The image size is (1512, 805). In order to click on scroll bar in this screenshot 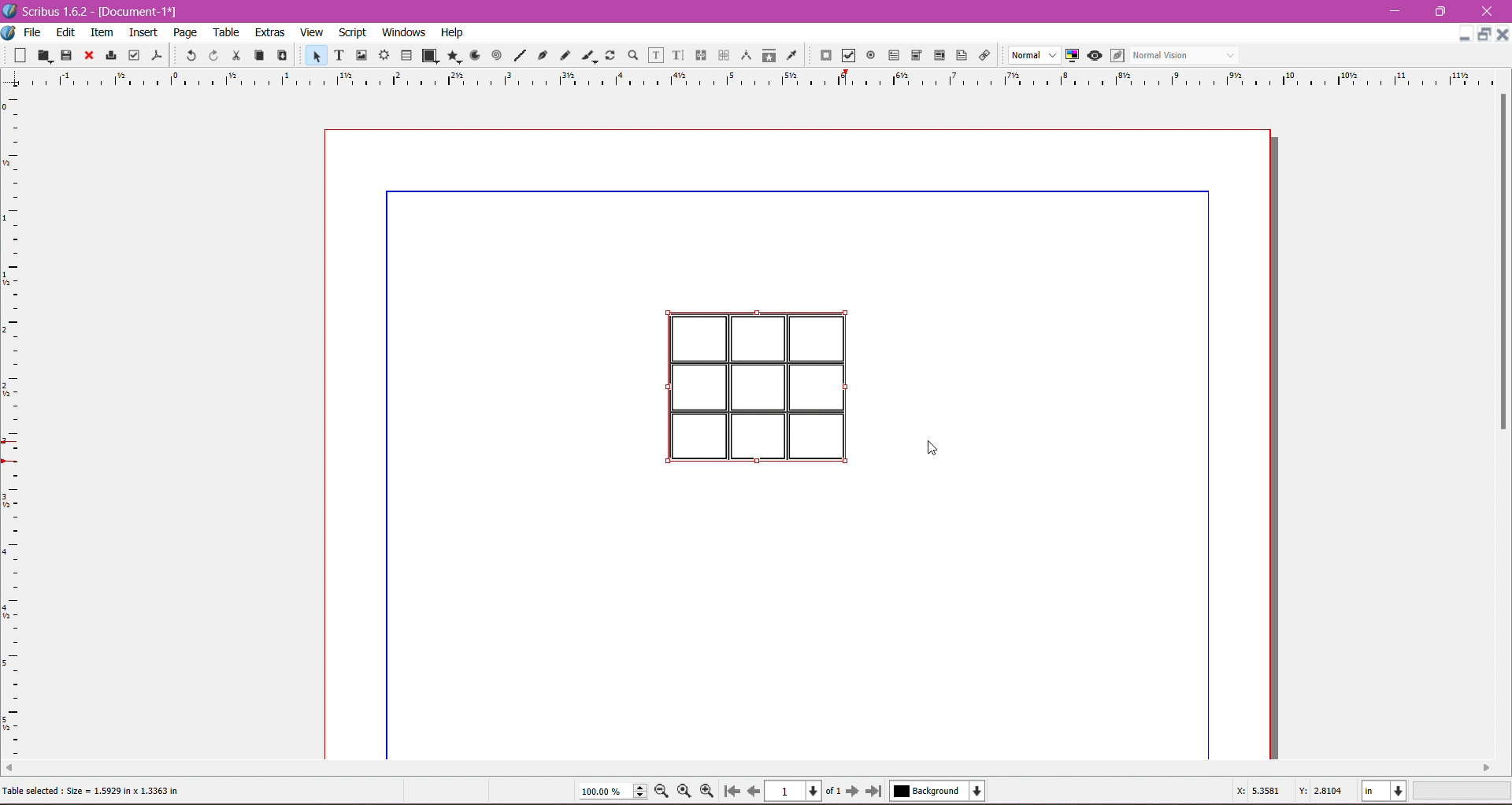, I will do `click(1498, 426)`.